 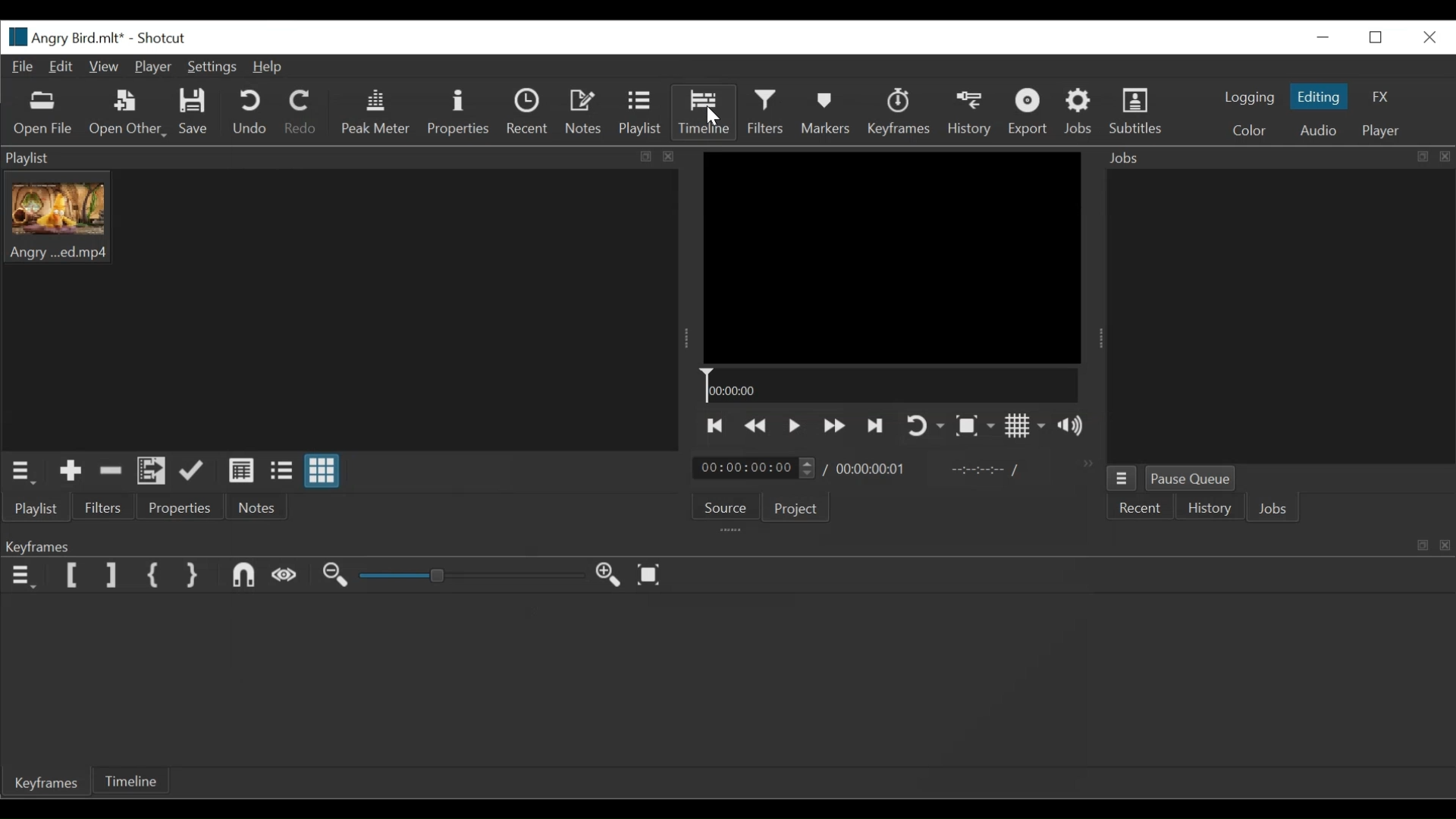 I want to click on Zoom timeline to fit, so click(x=648, y=576).